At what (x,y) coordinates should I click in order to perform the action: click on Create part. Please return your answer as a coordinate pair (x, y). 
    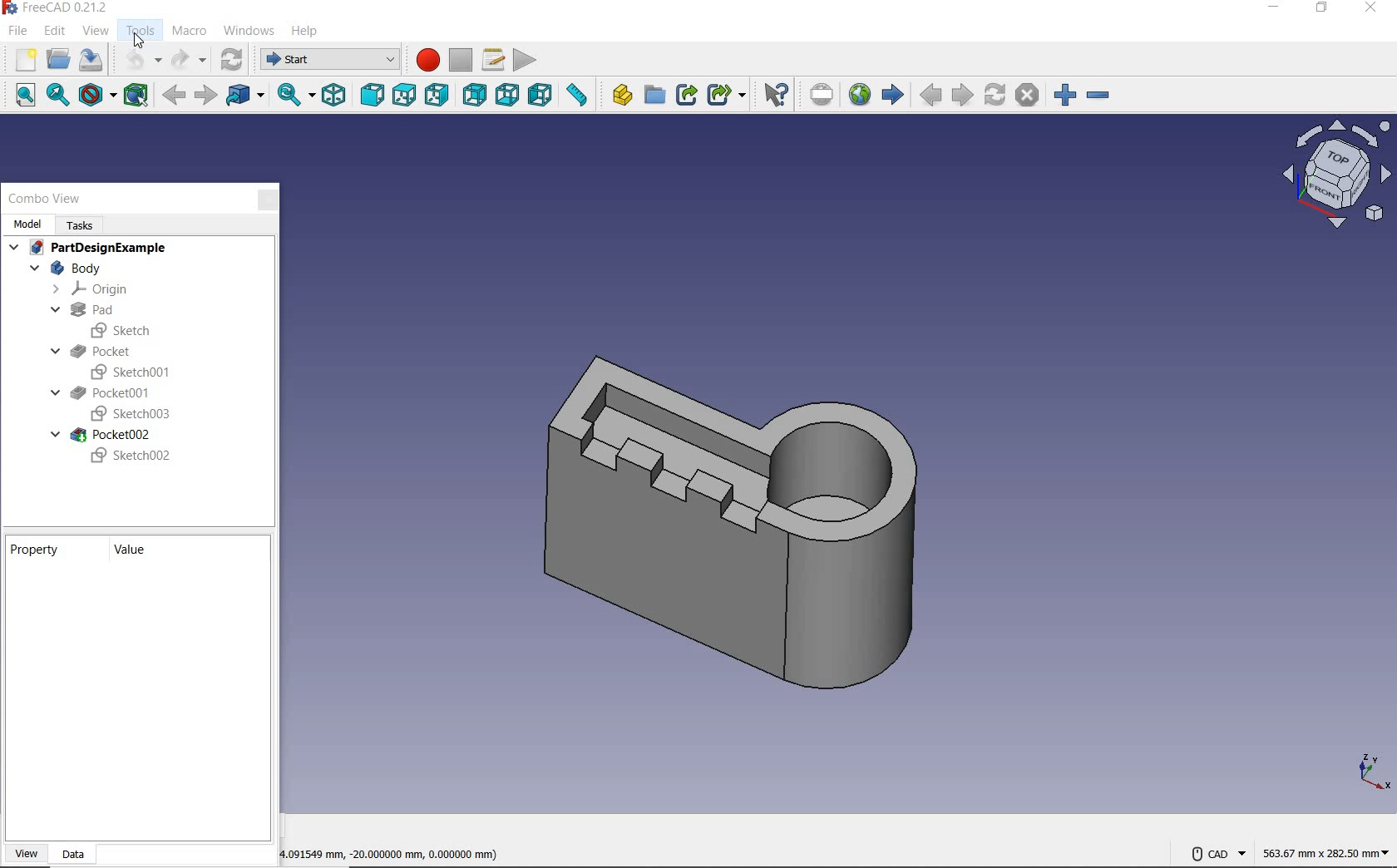
    Looking at the image, I should click on (618, 96).